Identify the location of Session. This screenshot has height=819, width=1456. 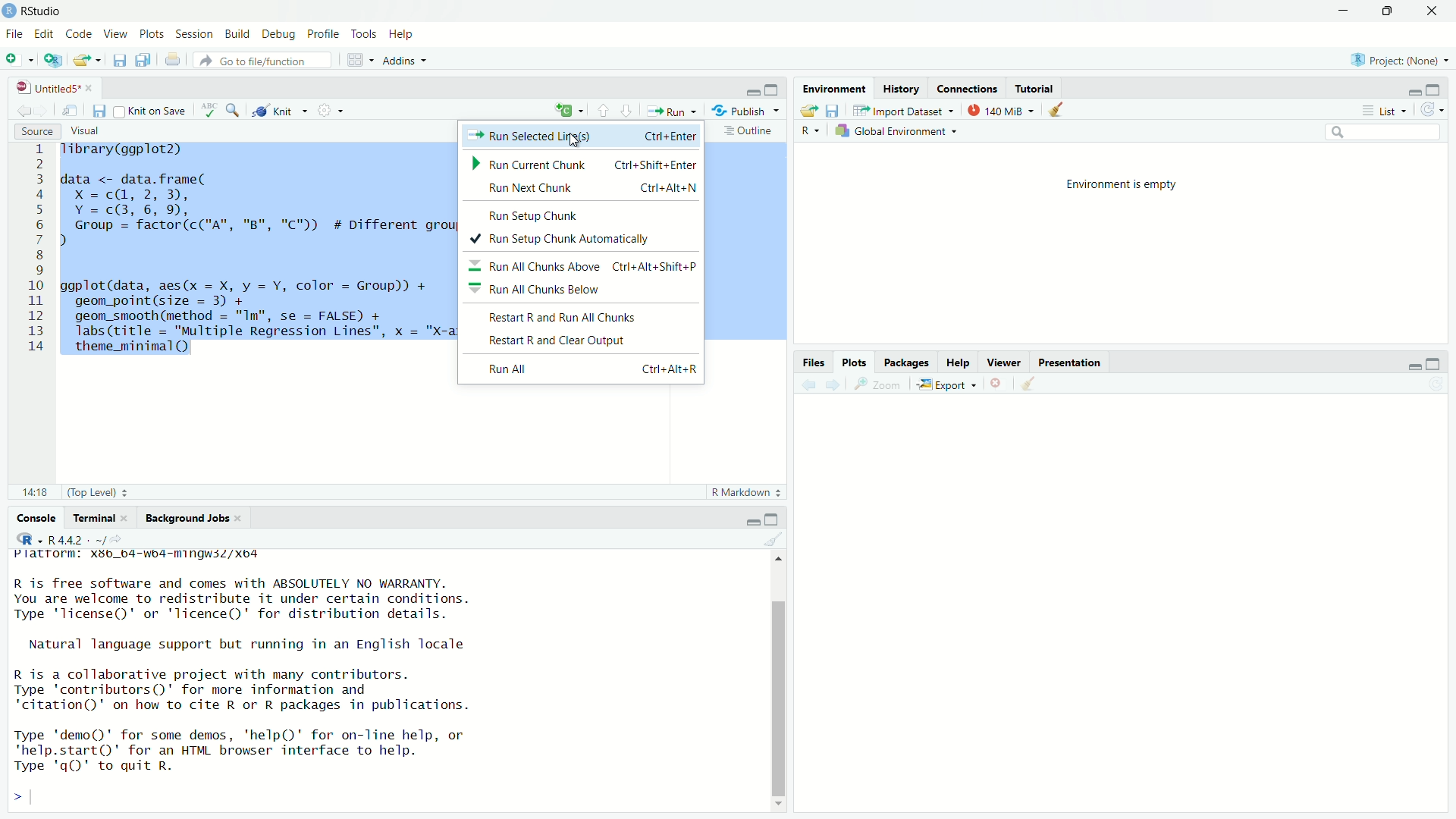
(194, 33).